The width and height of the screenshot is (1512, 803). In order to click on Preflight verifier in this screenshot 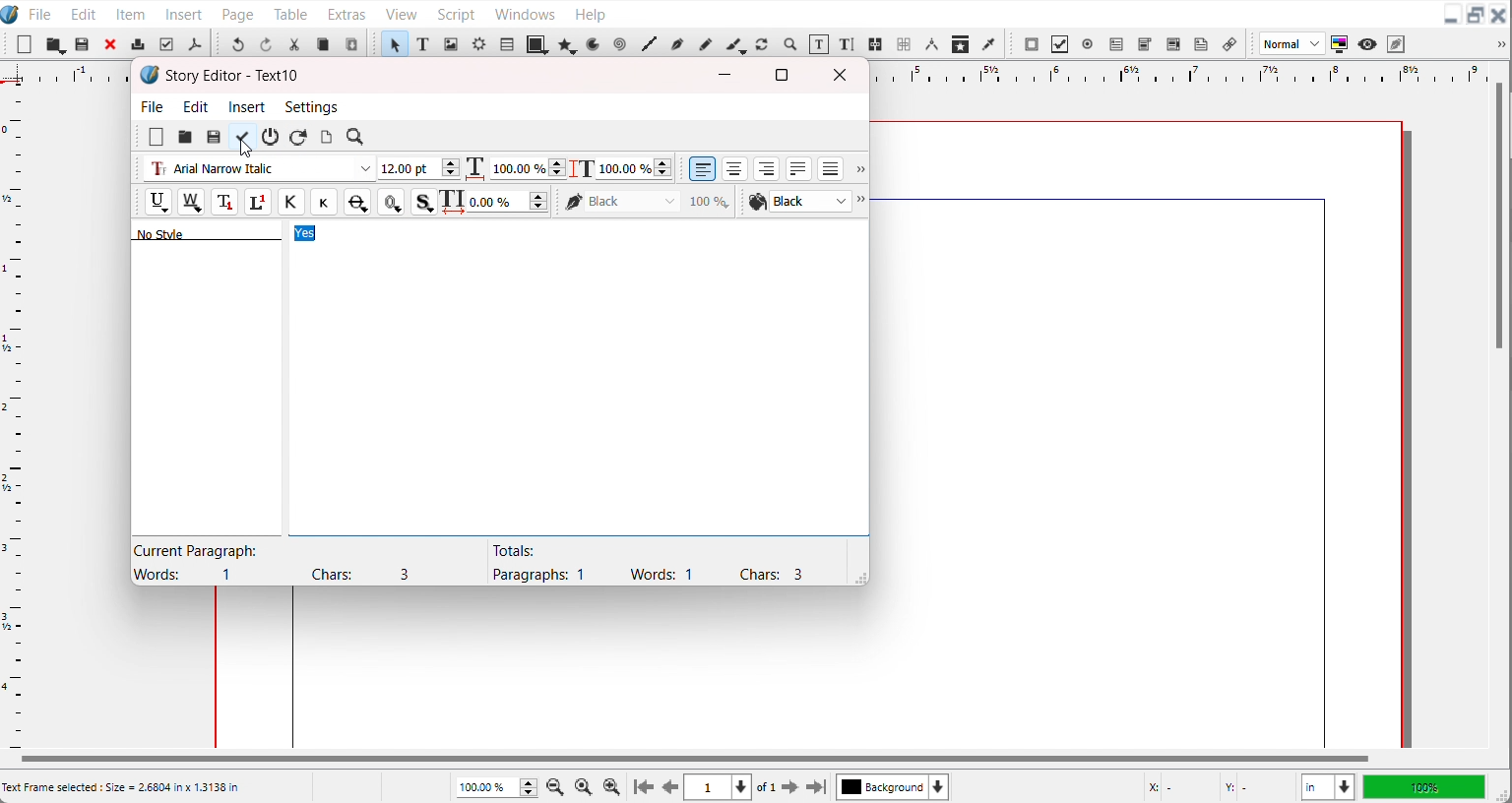, I will do `click(165, 44)`.